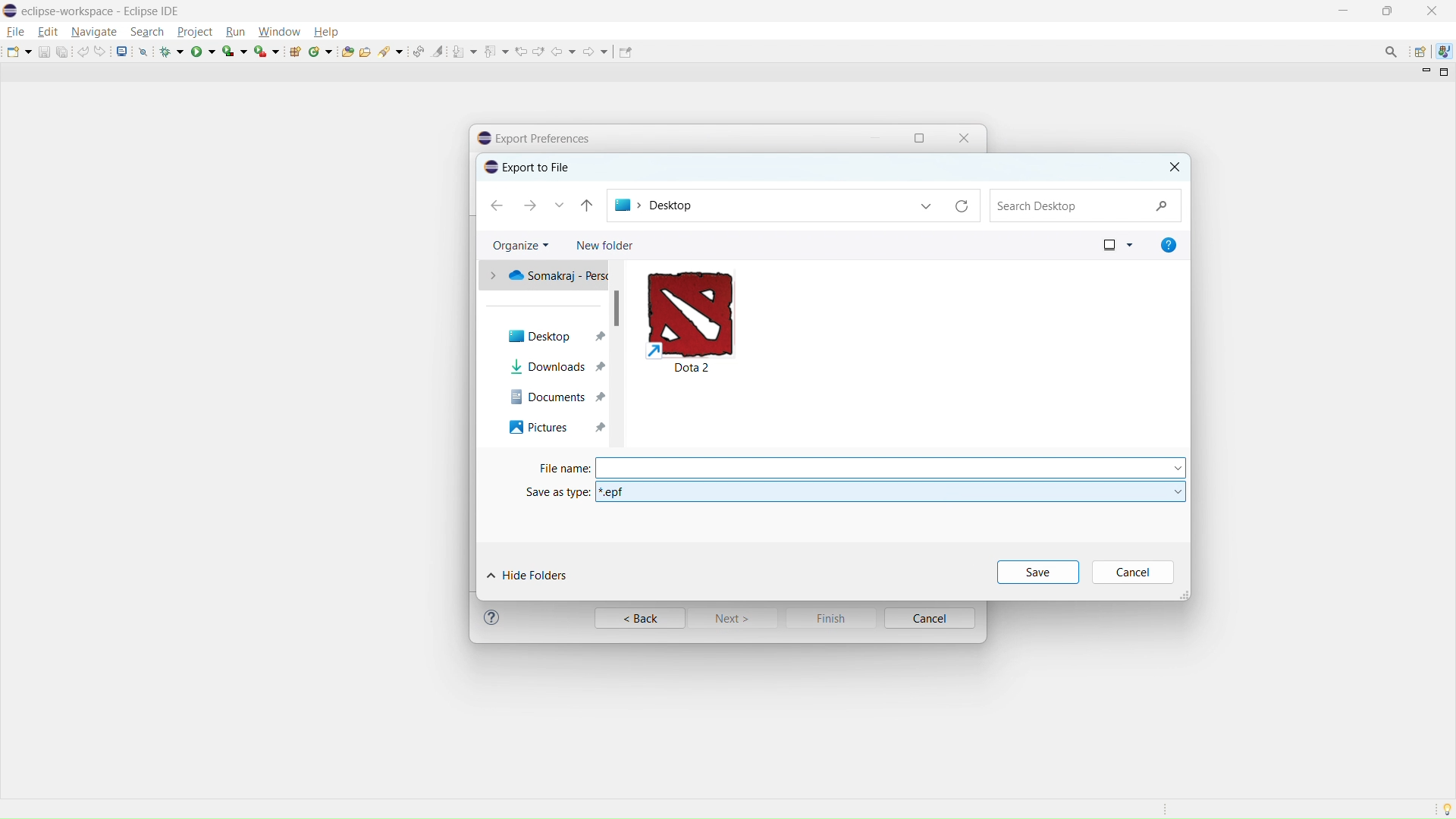 This screenshot has width=1456, height=819. I want to click on run, so click(235, 32).